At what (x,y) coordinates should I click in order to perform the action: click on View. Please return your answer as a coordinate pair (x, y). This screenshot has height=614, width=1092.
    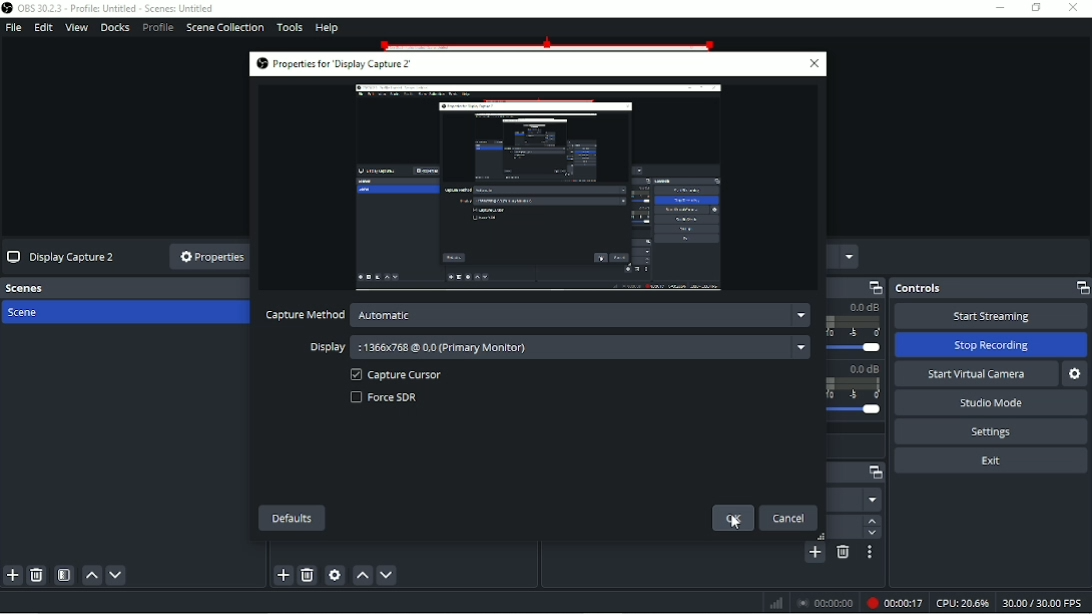
    Looking at the image, I should click on (76, 28).